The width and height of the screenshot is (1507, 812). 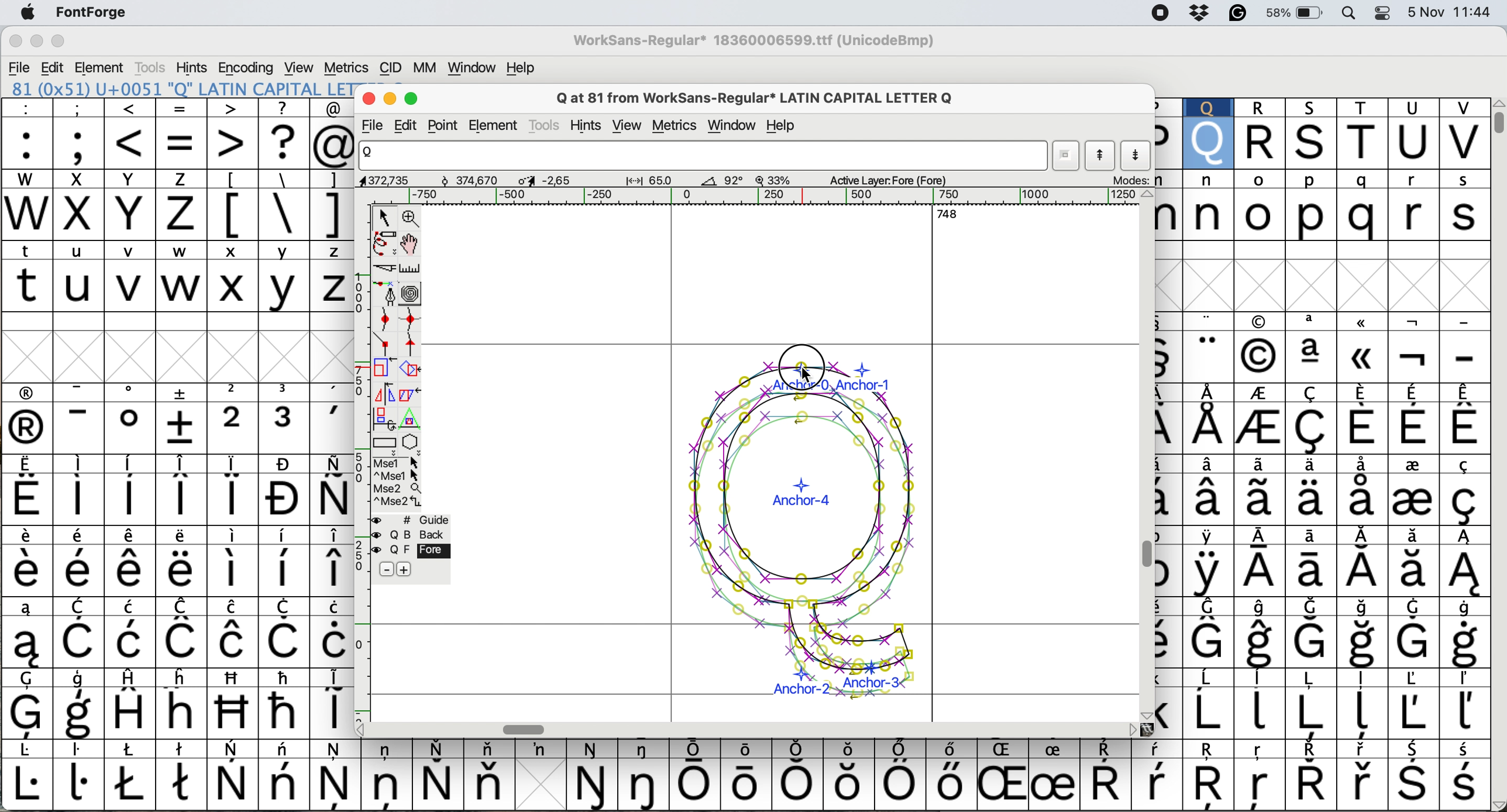 What do you see at coordinates (1321, 202) in the screenshot?
I see `lowercase letters` at bounding box center [1321, 202].